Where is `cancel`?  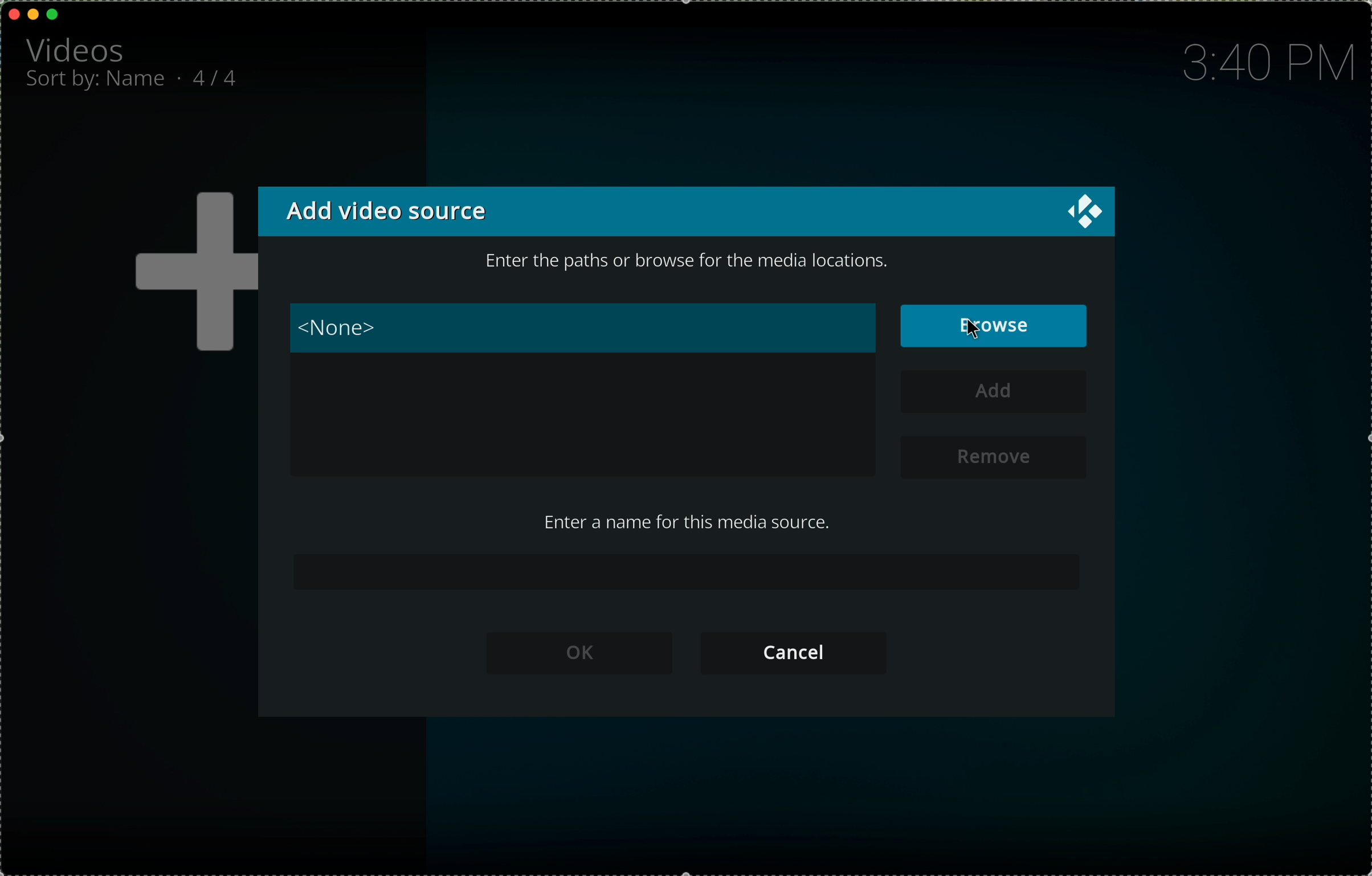 cancel is located at coordinates (801, 653).